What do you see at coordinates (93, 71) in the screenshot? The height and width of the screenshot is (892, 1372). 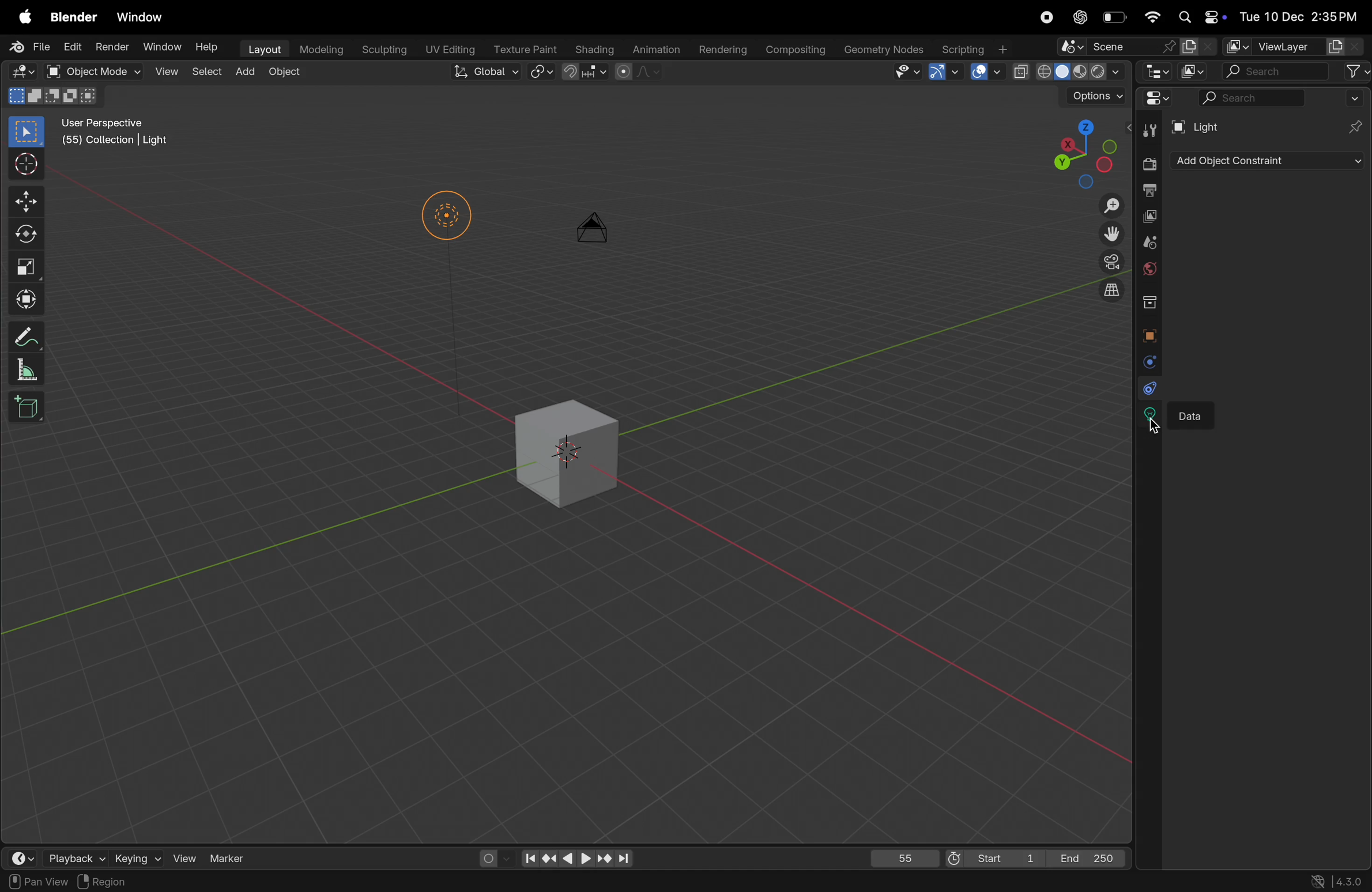 I see `object mode` at bounding box center [93, 71].